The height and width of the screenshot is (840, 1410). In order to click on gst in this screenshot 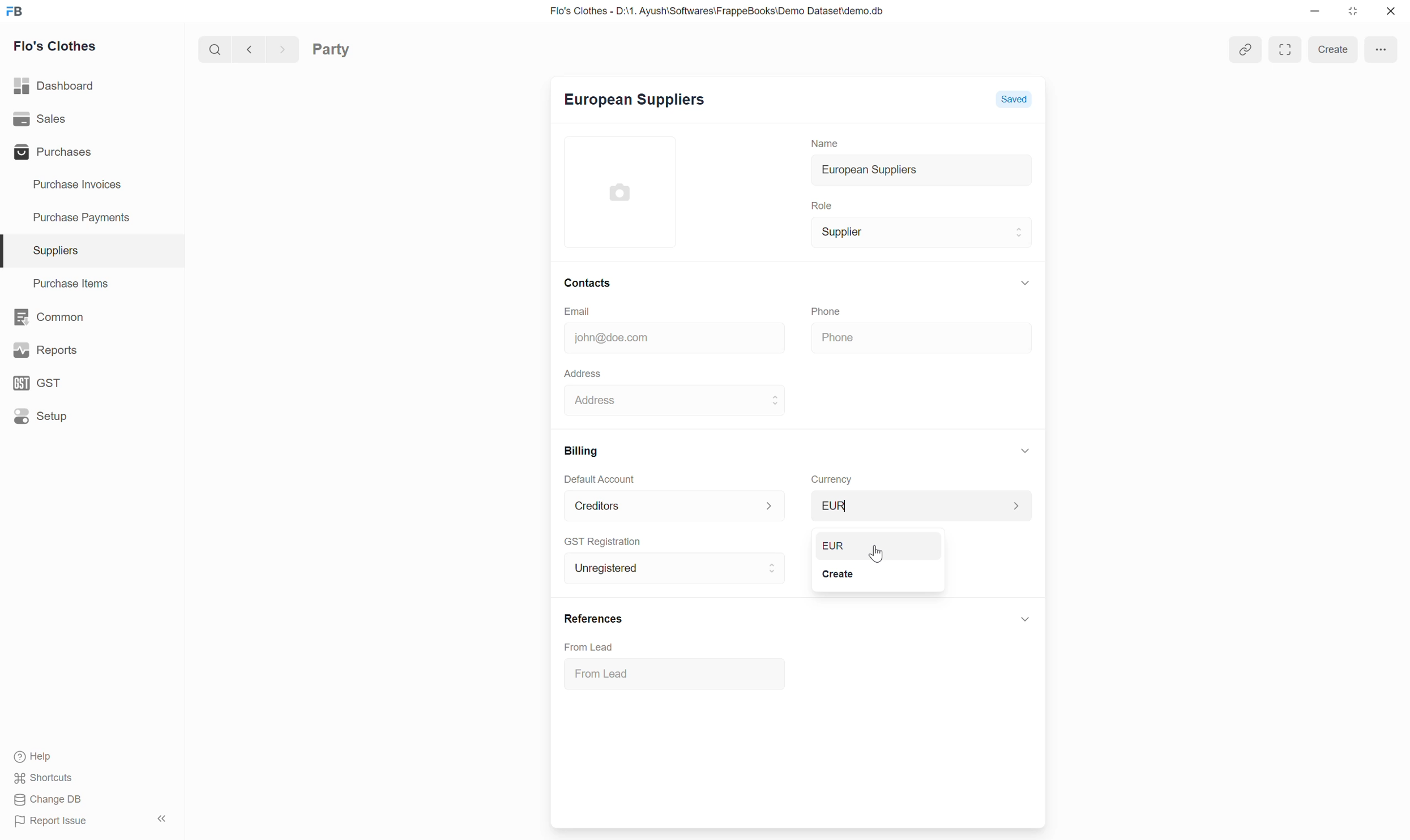, I will do `click(36, 383)`.